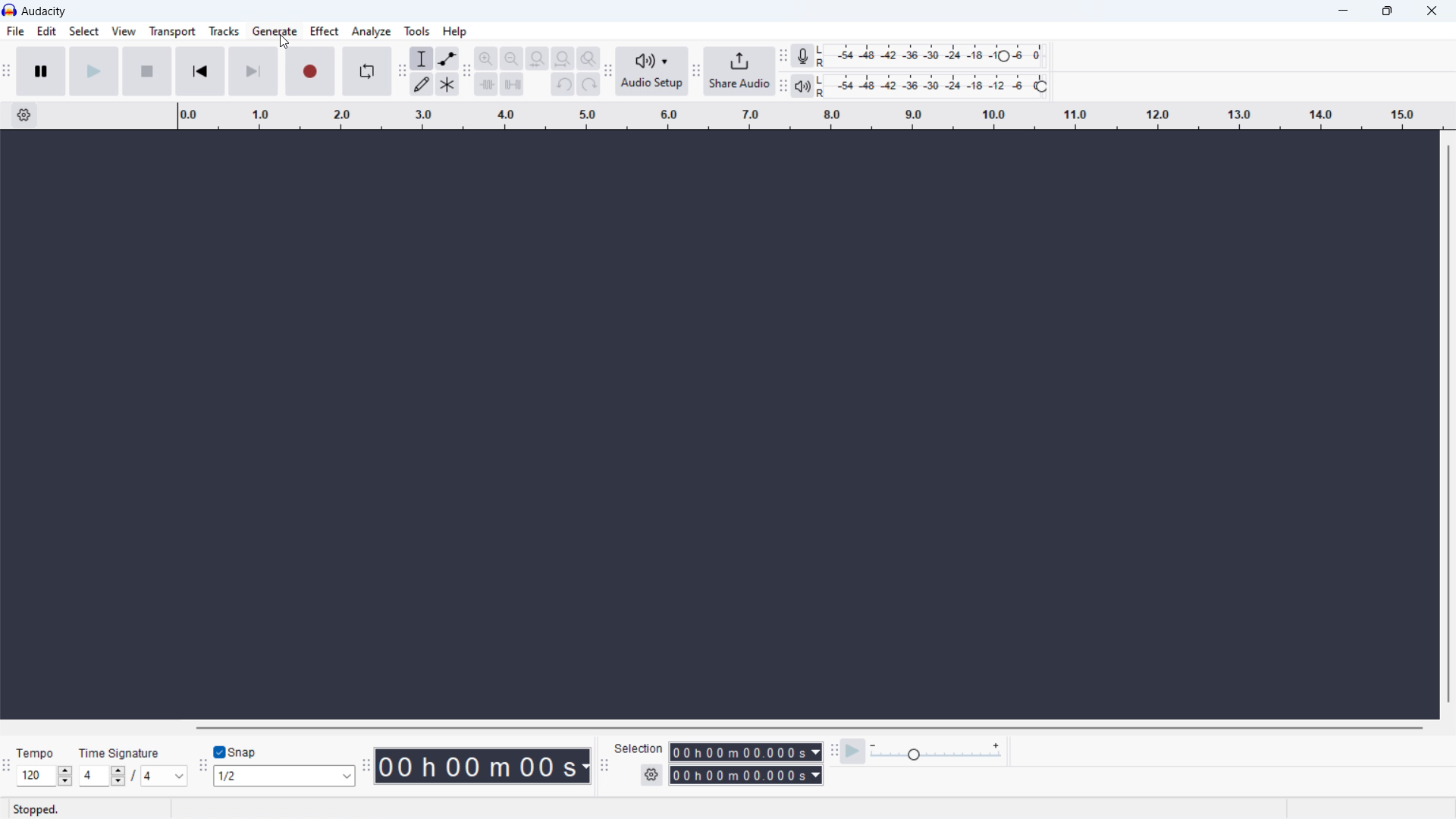 Image resolution: width=1456 pixels, height=819 pixels. I want to click on logo, so click(10, 10).